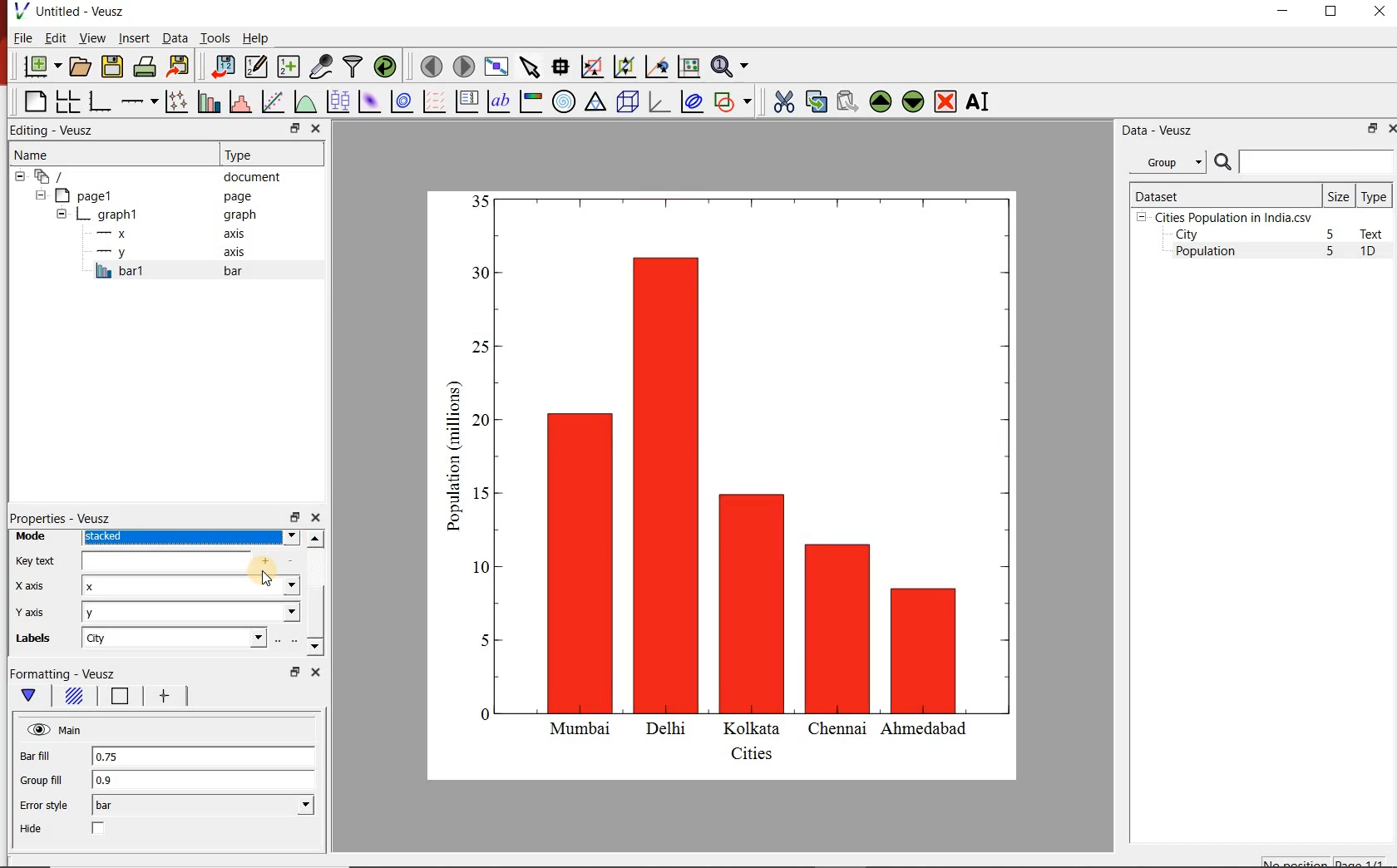 This screenshot has width=1397, height=868. I want to click on plot key, so click(466, 101).